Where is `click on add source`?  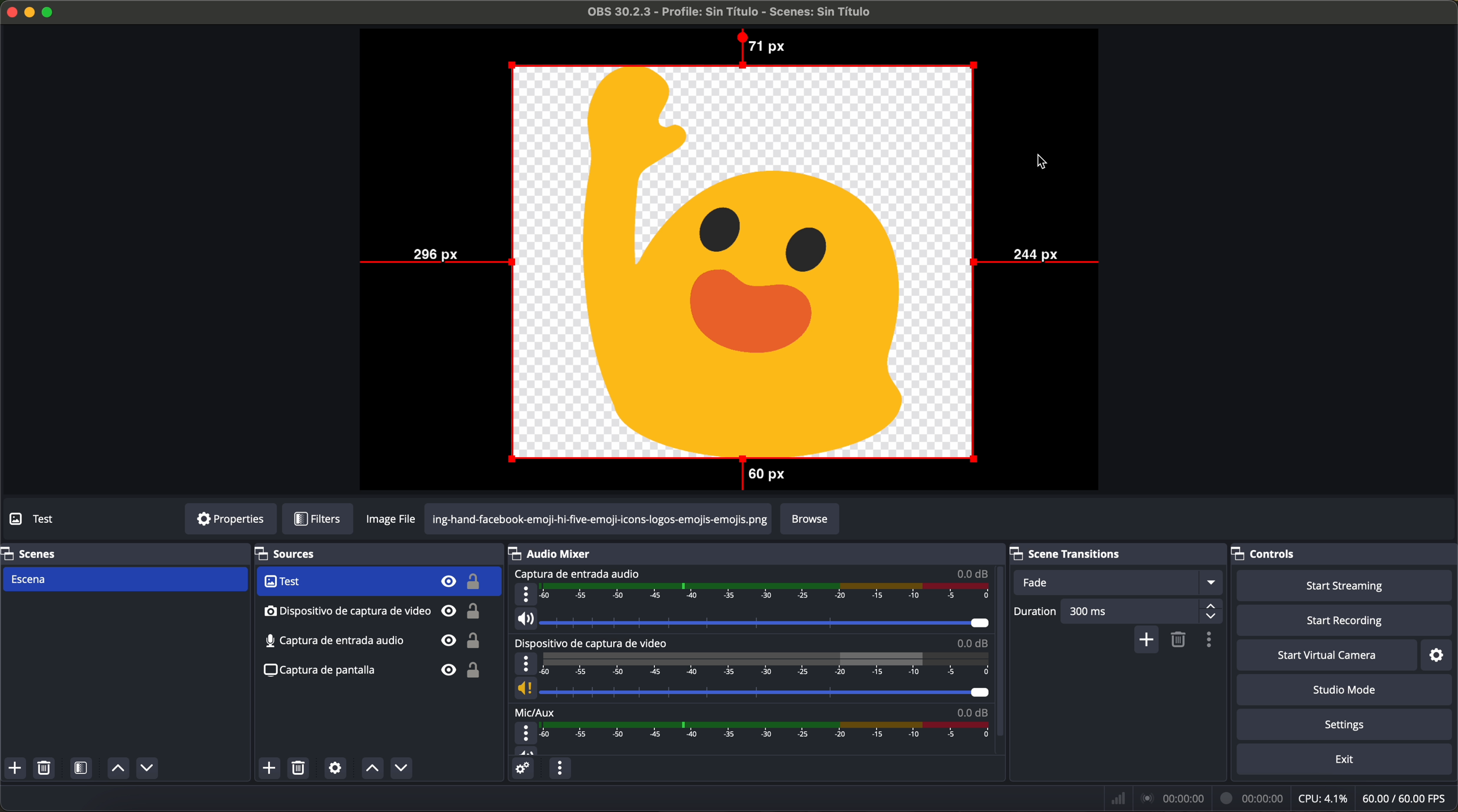
click on add source is located at coordinates (272, 769).